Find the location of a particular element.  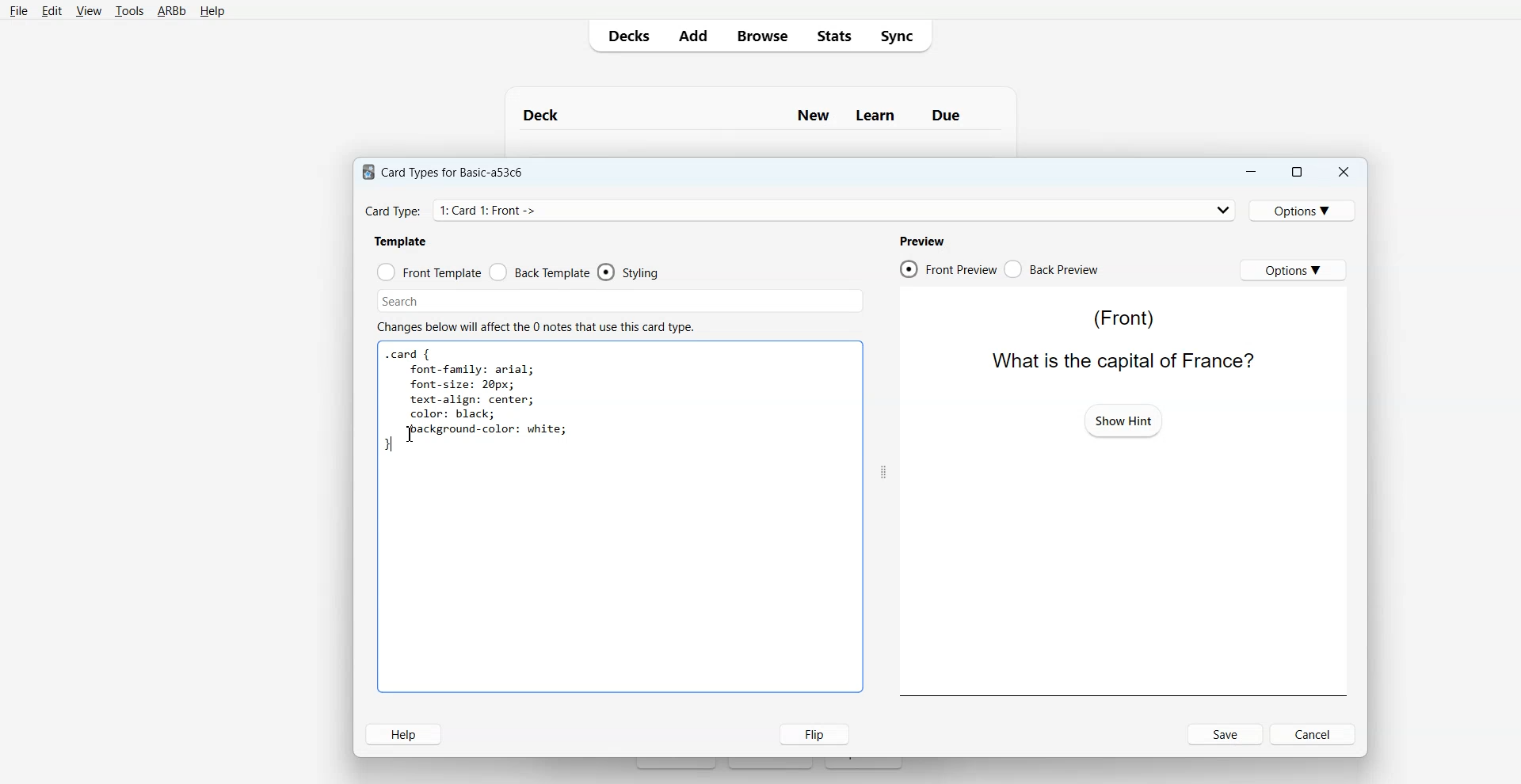

Cancel is located at coordinates (1315, 733).